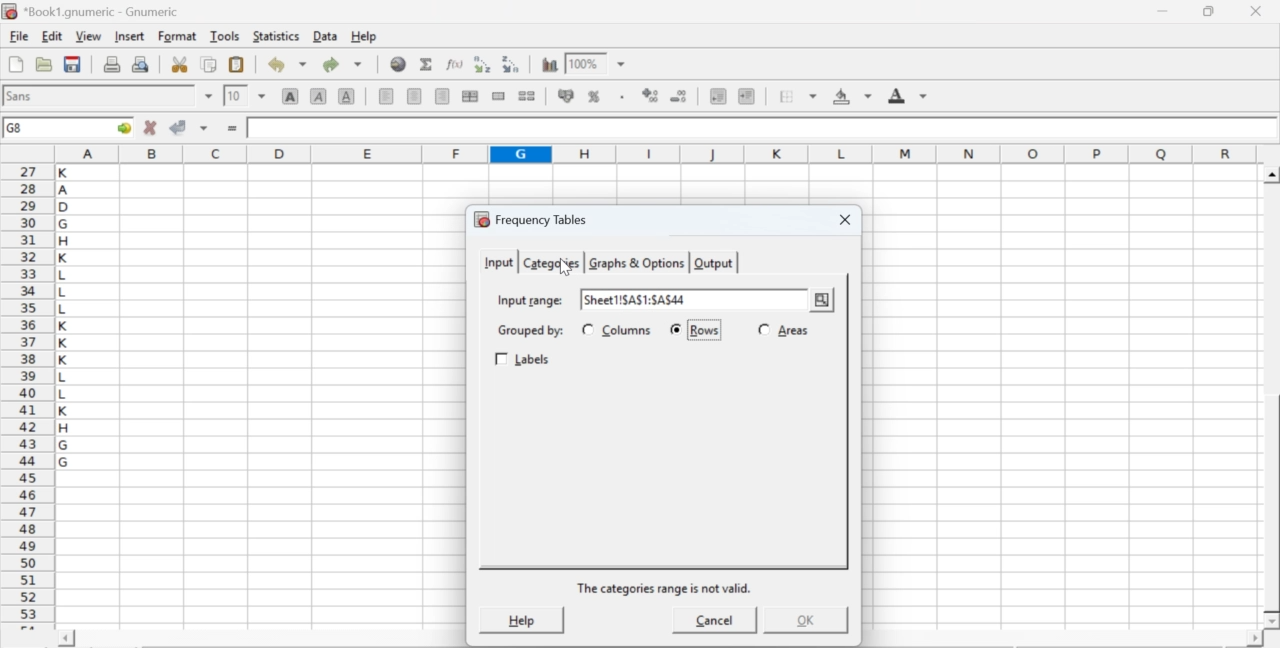  Describe the element at coordinates (1164, 11) in the screenshot. I see `minimize` at that location.